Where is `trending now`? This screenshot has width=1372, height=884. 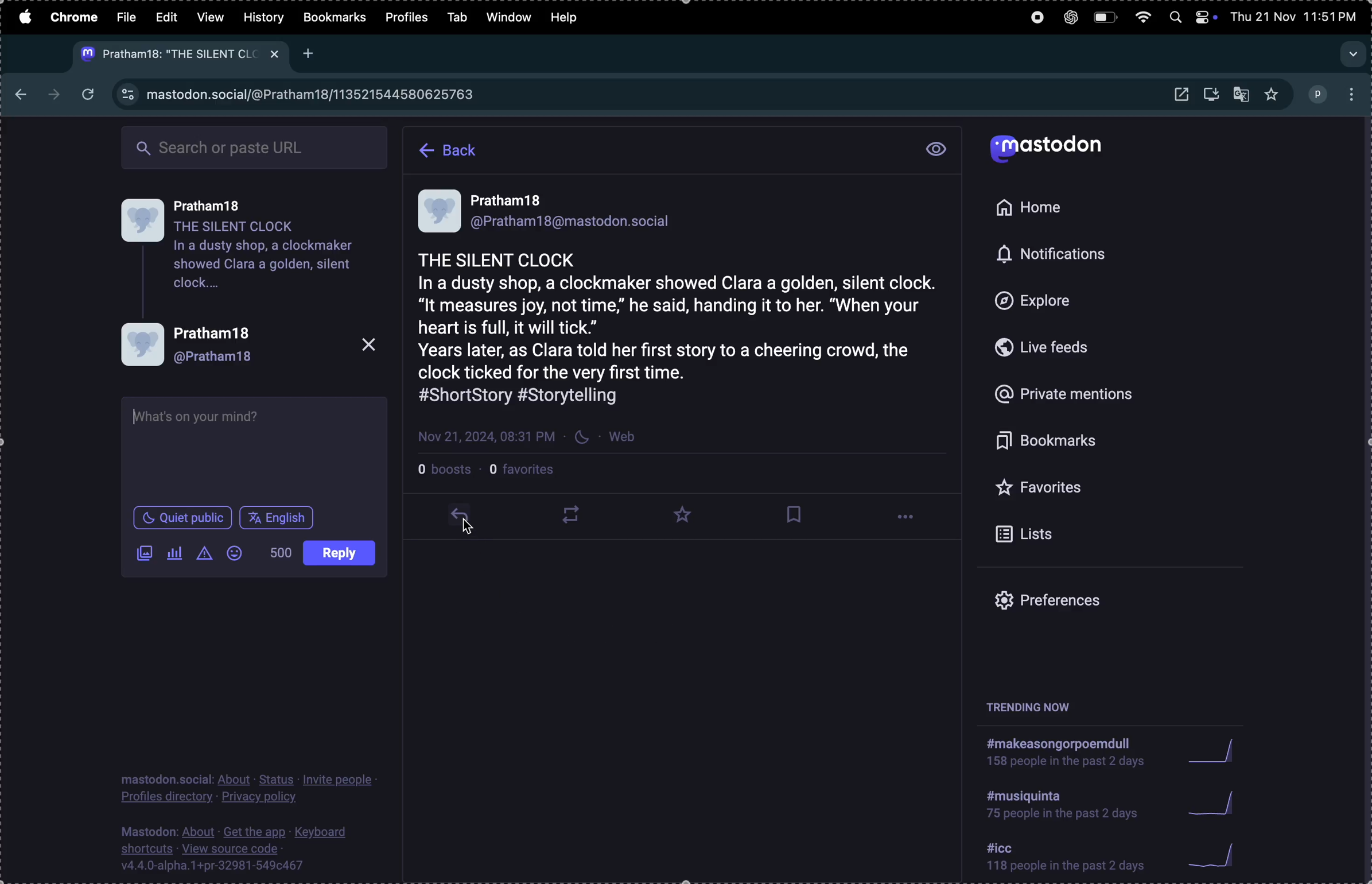 trending now is located at coordinates (1035, 707).